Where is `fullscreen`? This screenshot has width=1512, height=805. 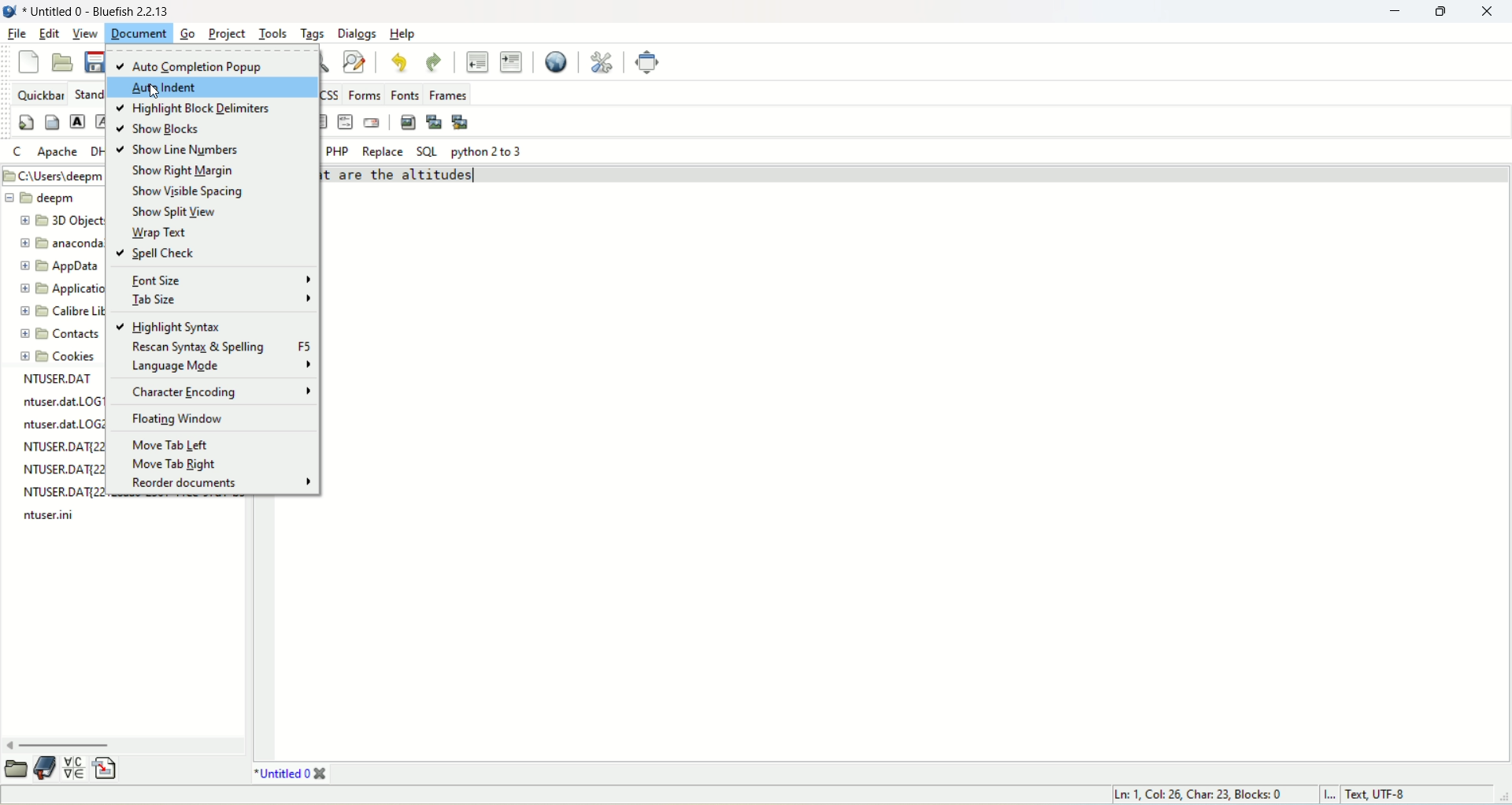
fullscreen is located at coordinates (648, 62).